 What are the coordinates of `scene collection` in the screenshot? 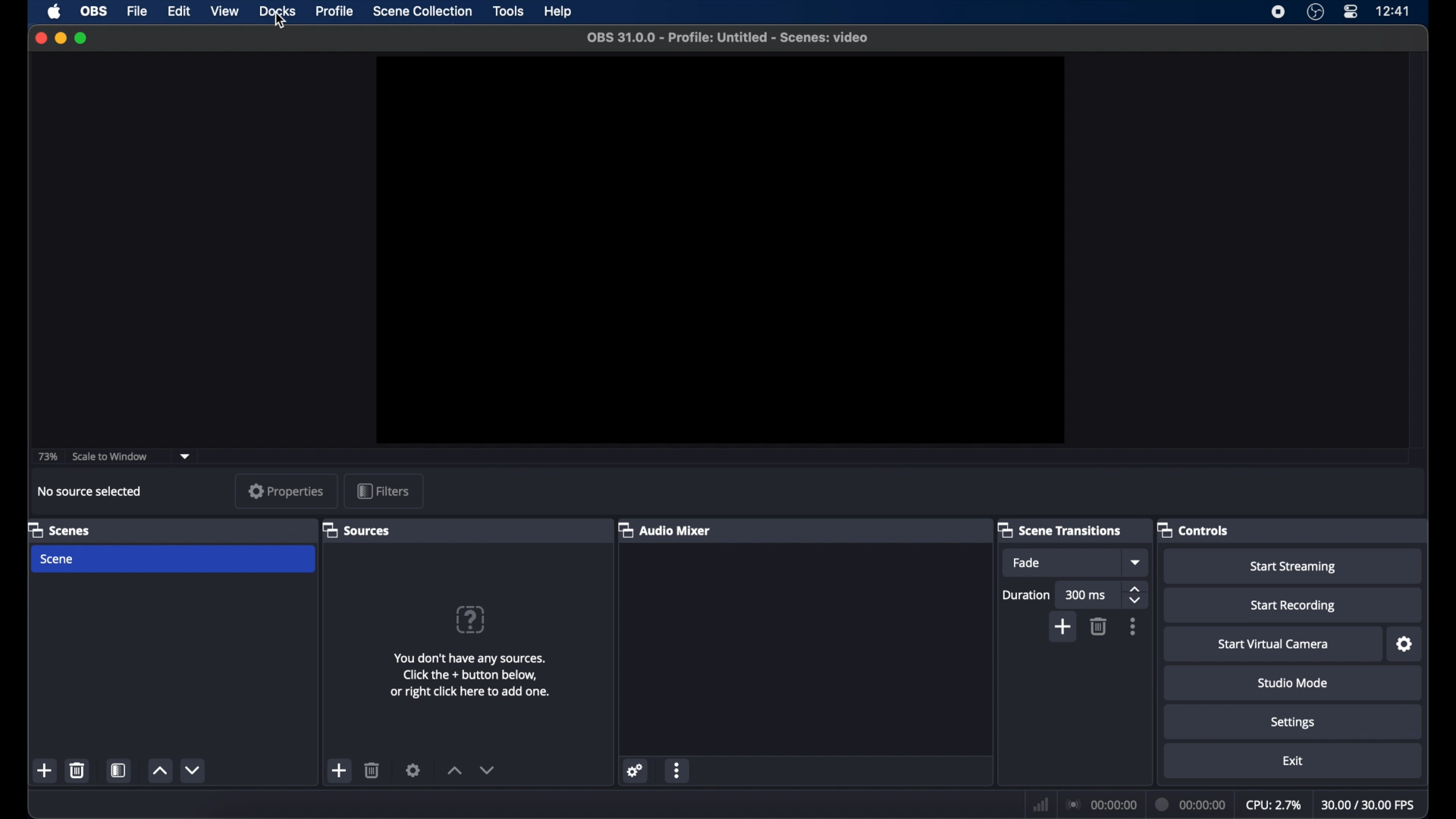 It's located at (422, 11).